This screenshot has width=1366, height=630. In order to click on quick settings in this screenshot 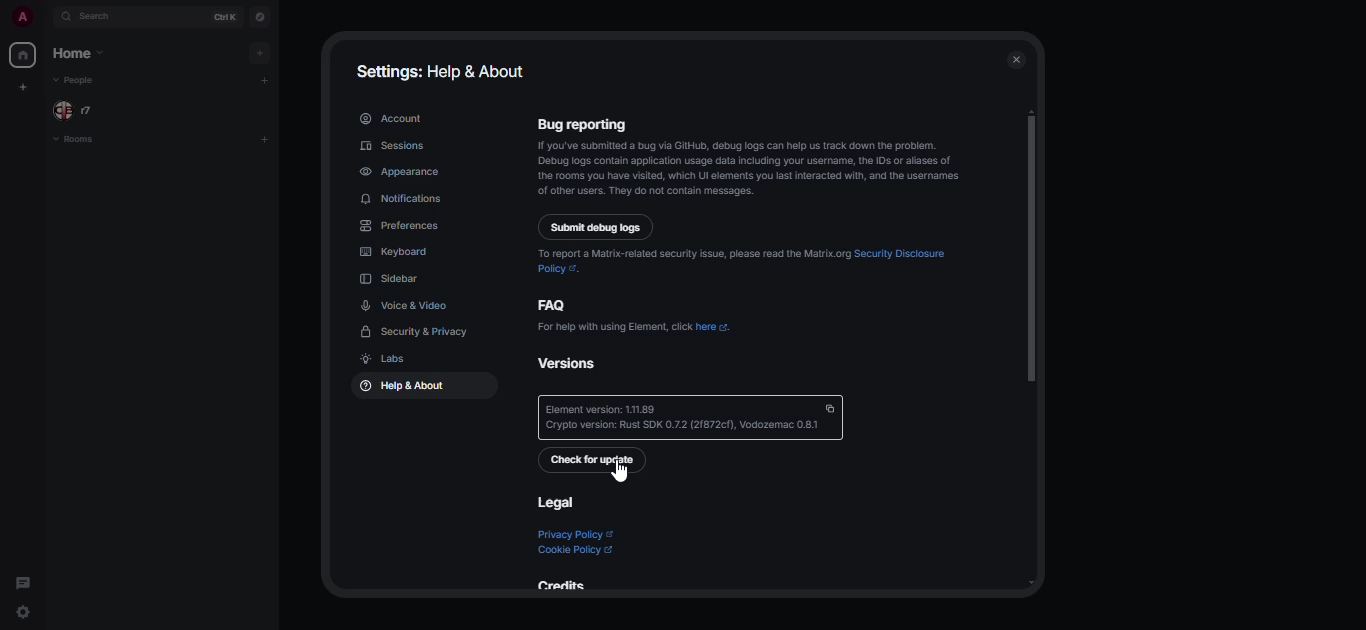, I will do `click(24, 613)`.